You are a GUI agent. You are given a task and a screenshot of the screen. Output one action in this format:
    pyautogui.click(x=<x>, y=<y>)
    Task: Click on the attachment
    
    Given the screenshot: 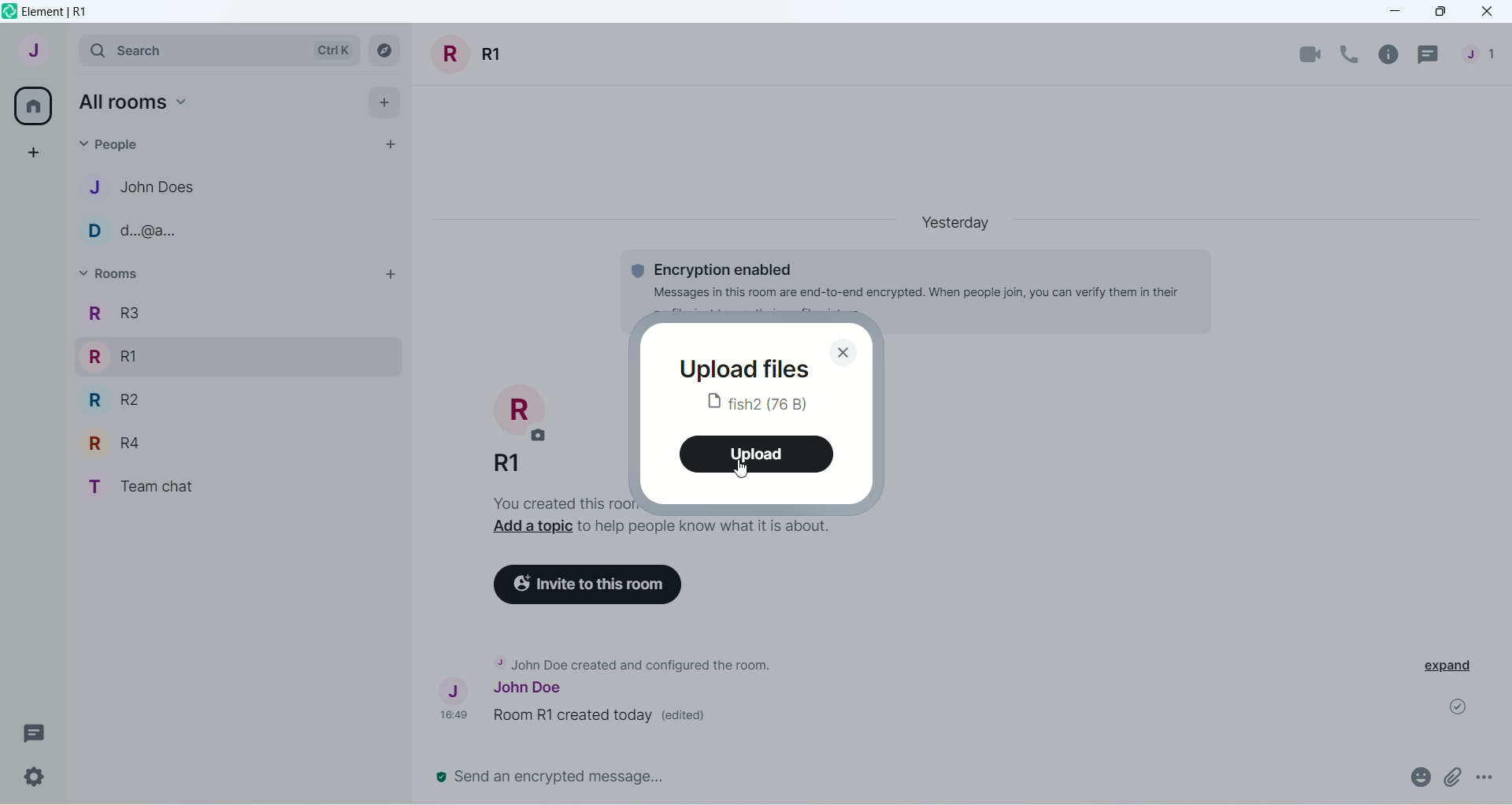 What is the action you would take?
    pyautogui.click(x=1451, y=777)
    